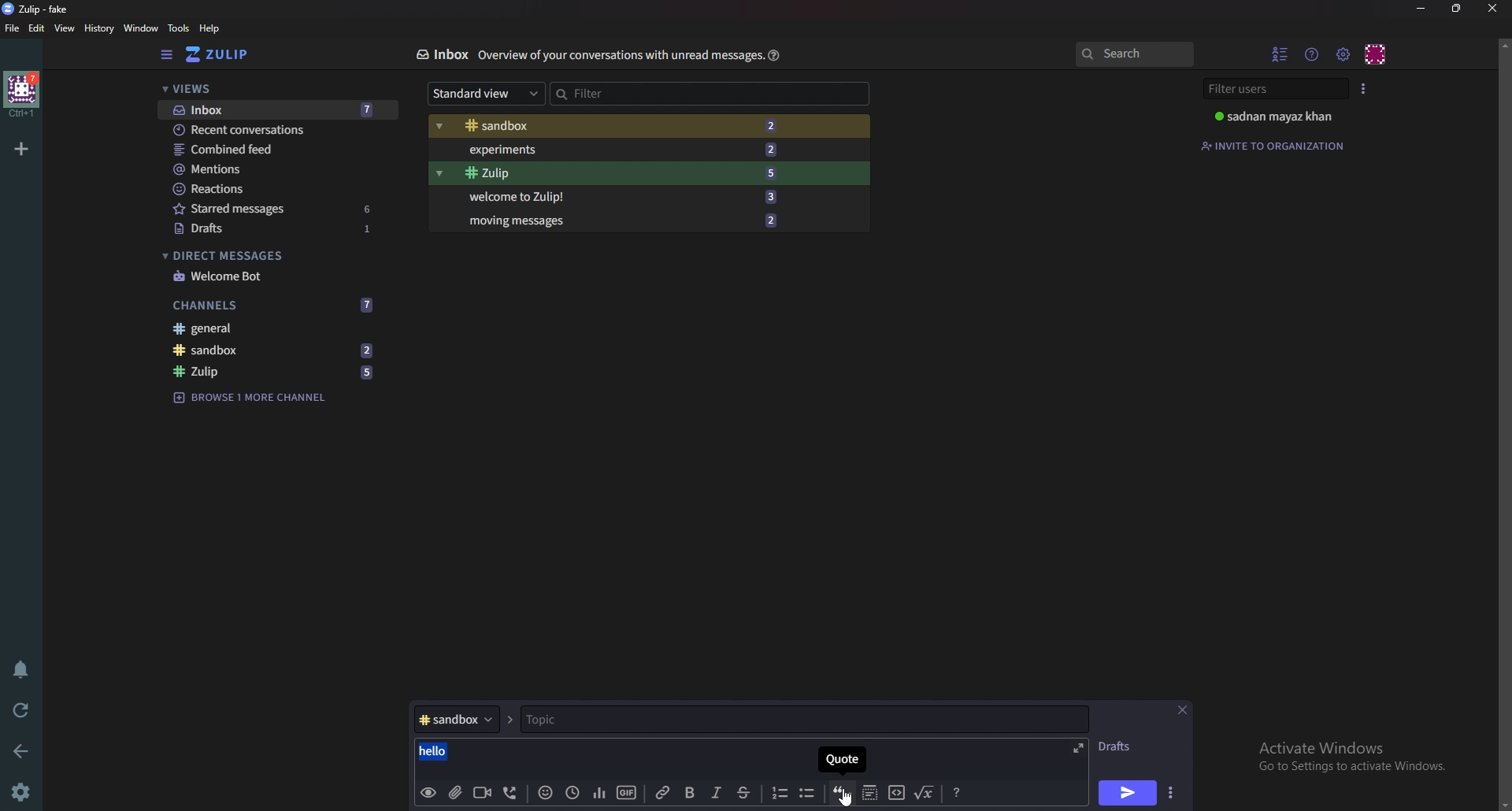 The image size is (1512, 811). I want to click on Window, so click(143, 28).